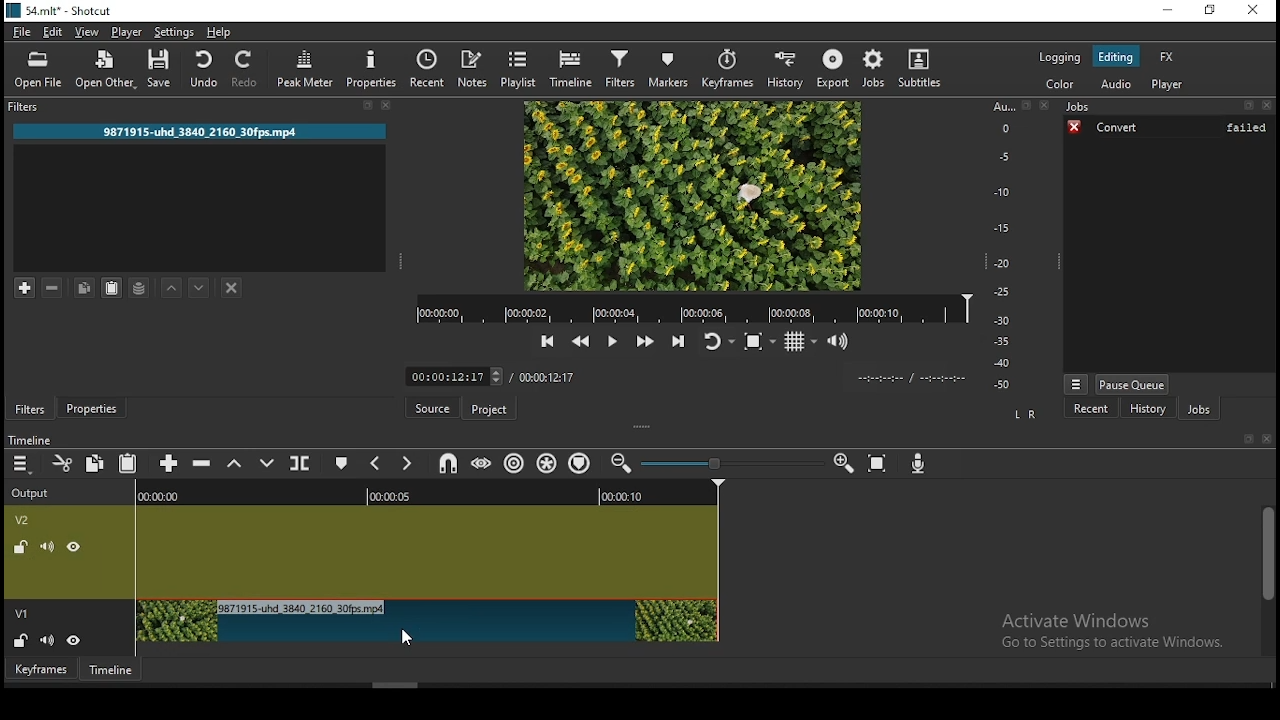 Image resolution: width=1280 pixels, height=720 pixels. Describe the element at coordinates (623, 70) in the screenshot. I see `filters` at that location.